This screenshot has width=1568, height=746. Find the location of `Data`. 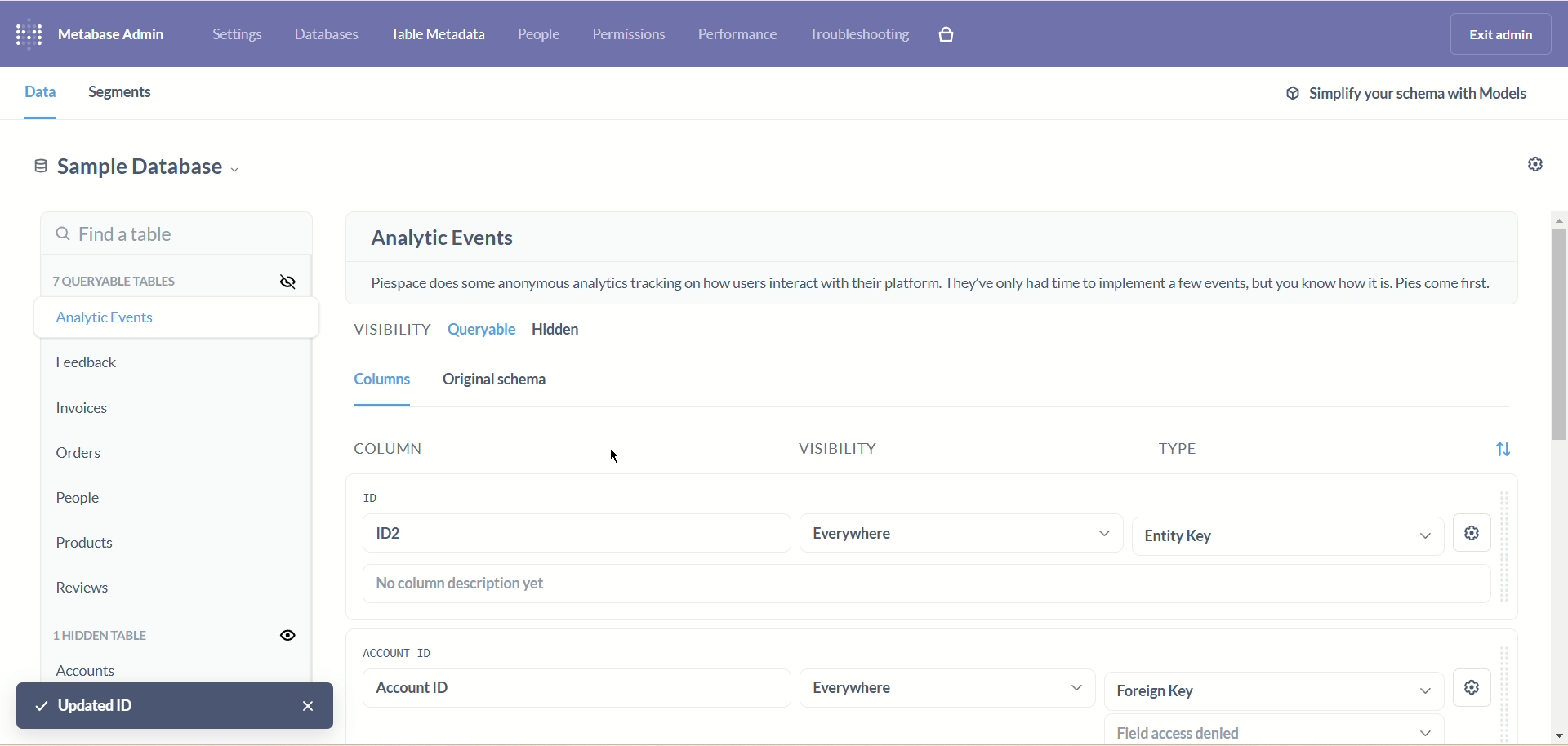

Data is located at coordinates (36, 92).